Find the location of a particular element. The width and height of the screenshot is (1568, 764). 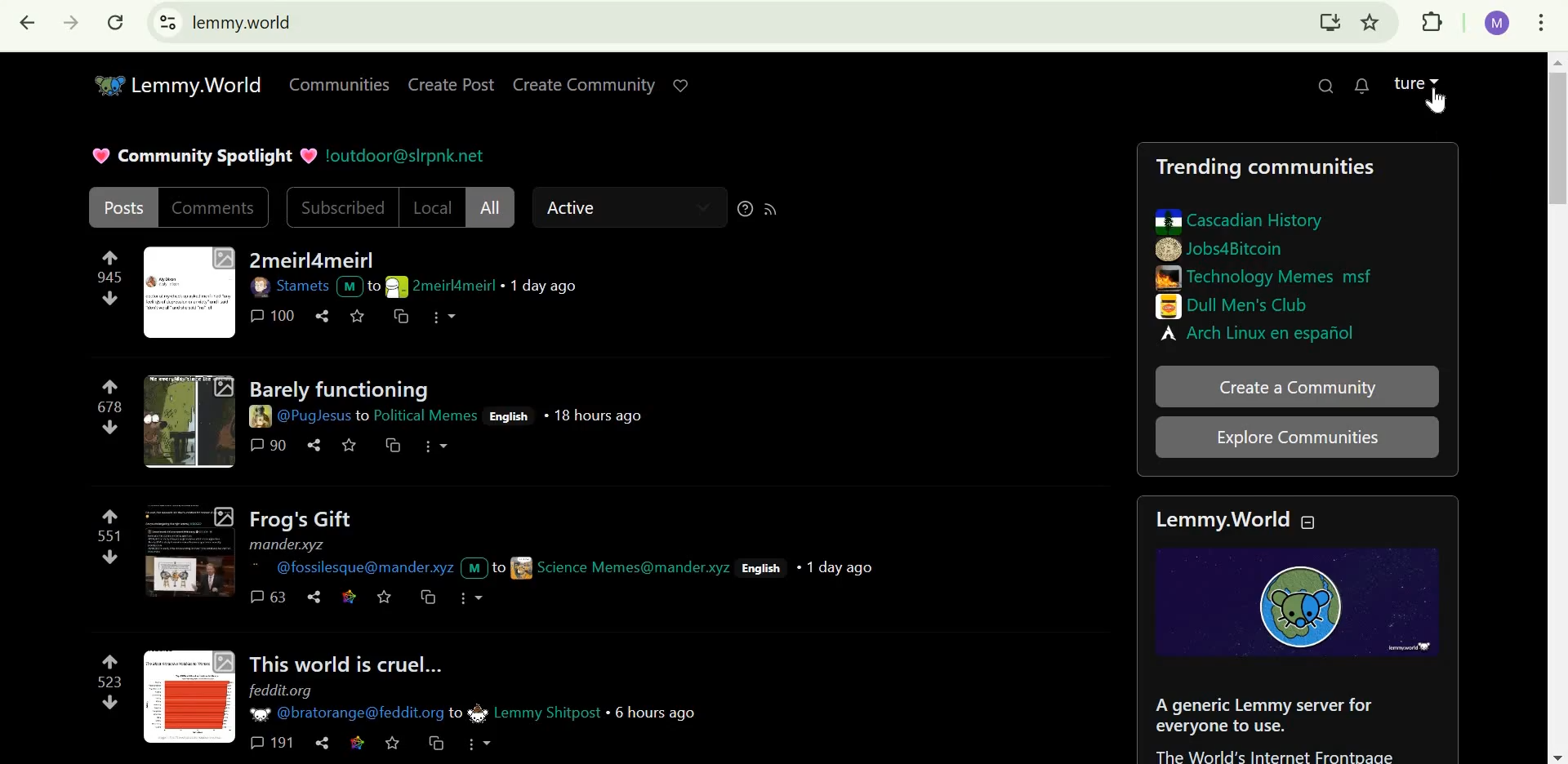

user ID is located at coordinates (348, 714).